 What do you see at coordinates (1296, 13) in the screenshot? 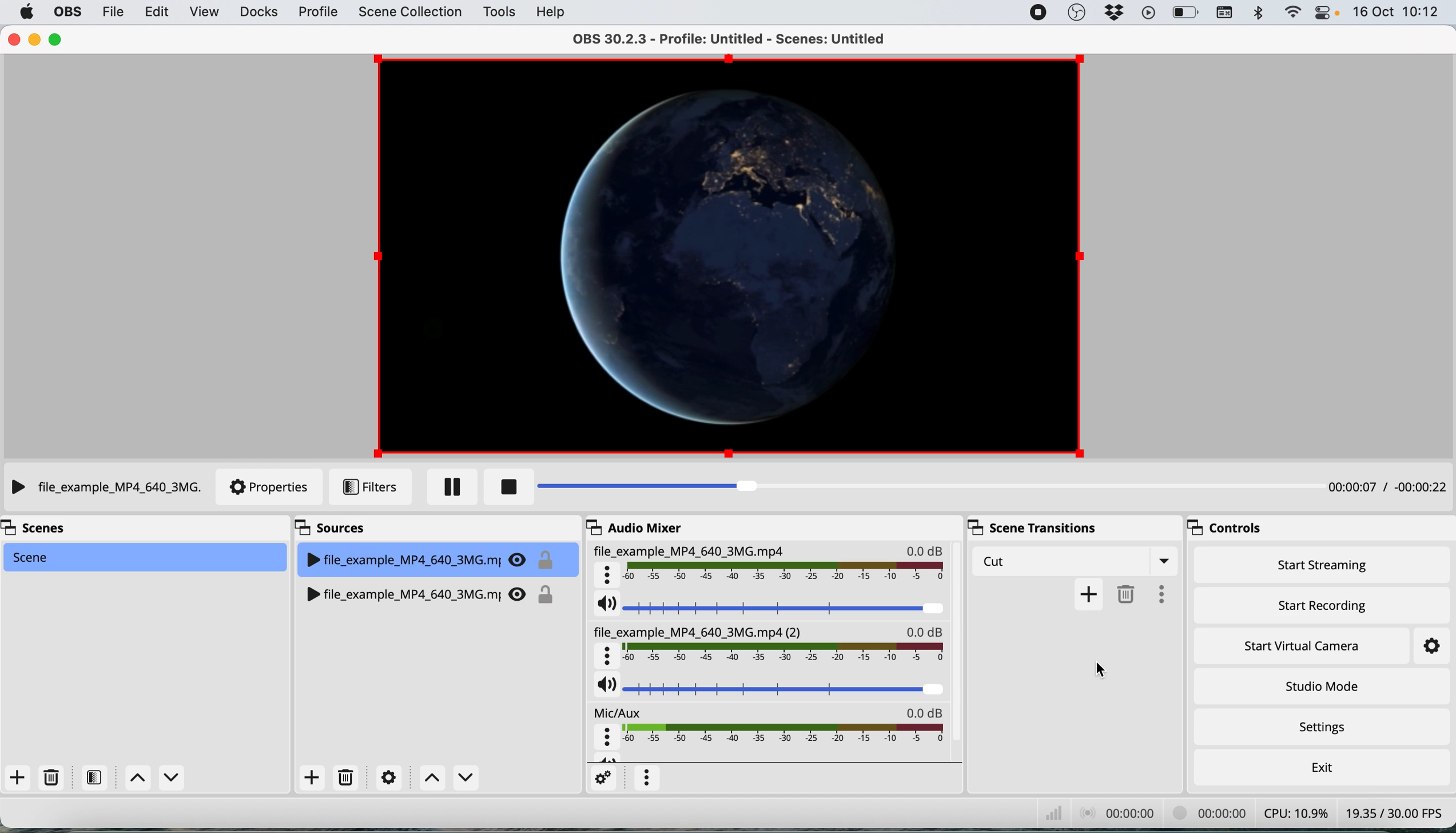
I see `wifi` at bounding box center [1296, 13].